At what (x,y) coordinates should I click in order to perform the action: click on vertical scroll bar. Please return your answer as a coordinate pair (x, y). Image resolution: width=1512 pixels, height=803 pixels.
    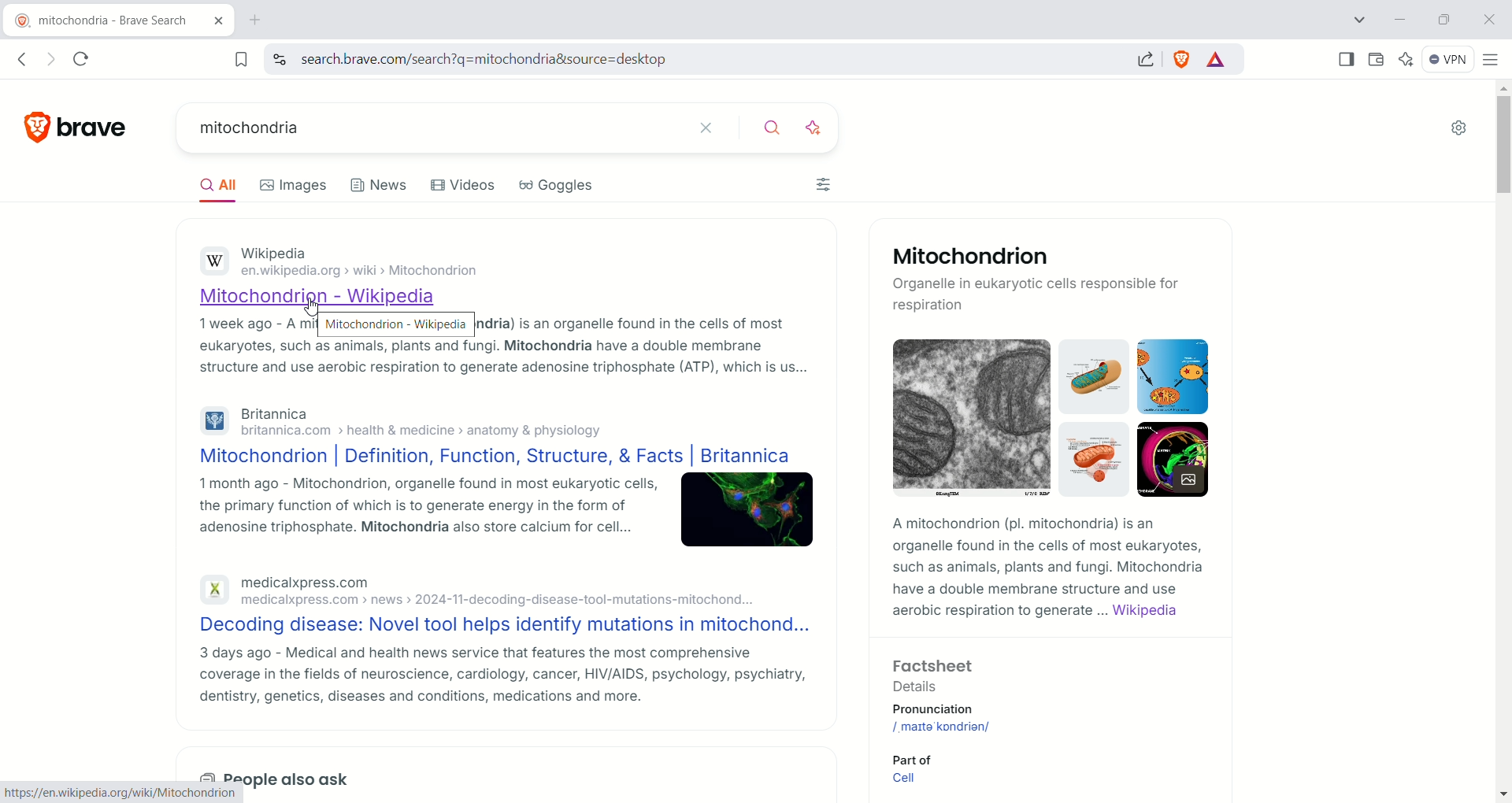
    Looking at the image, I should click on (1503, 442).